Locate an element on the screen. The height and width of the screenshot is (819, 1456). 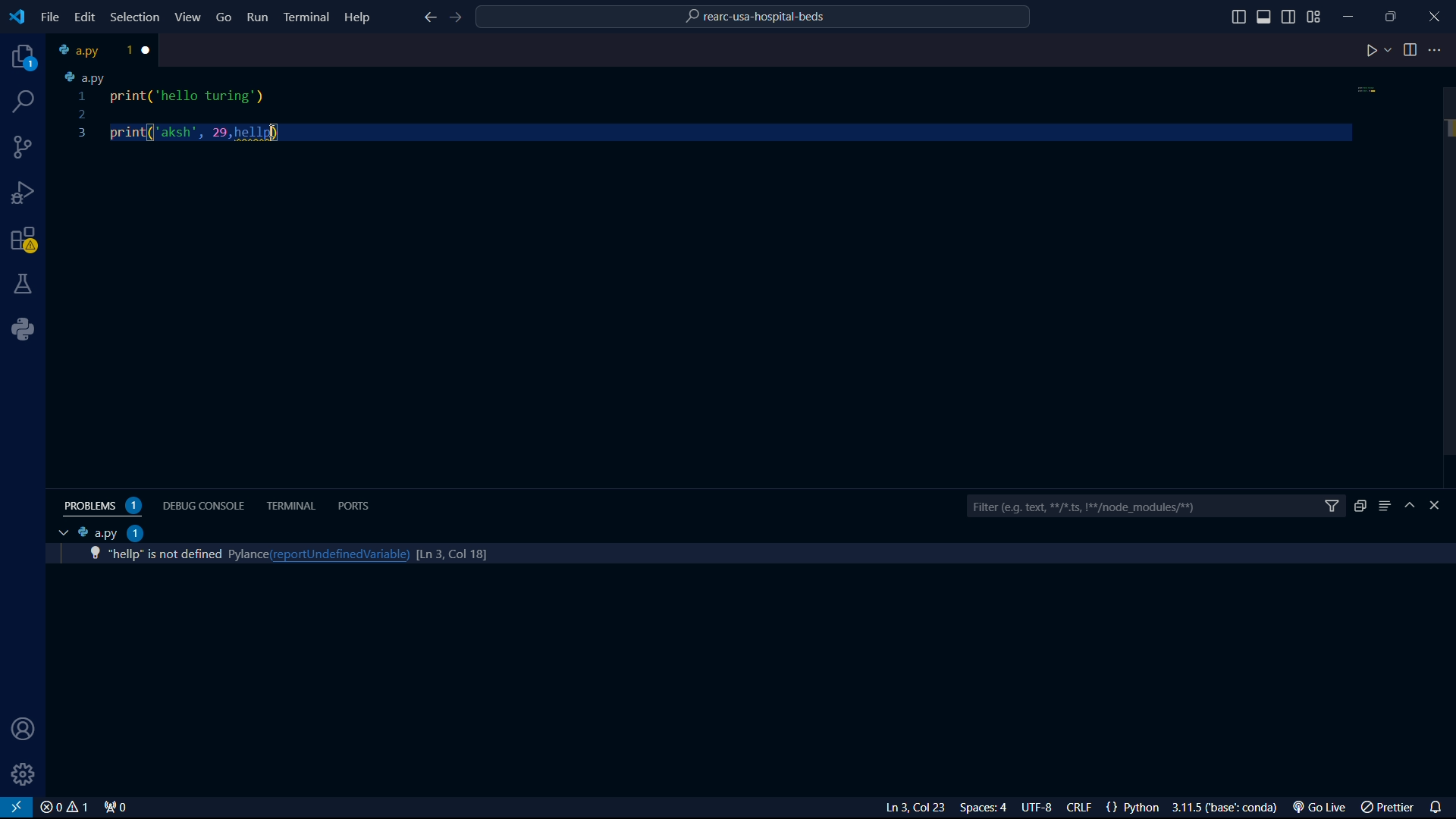
tab is located at coordinates (59, 533).